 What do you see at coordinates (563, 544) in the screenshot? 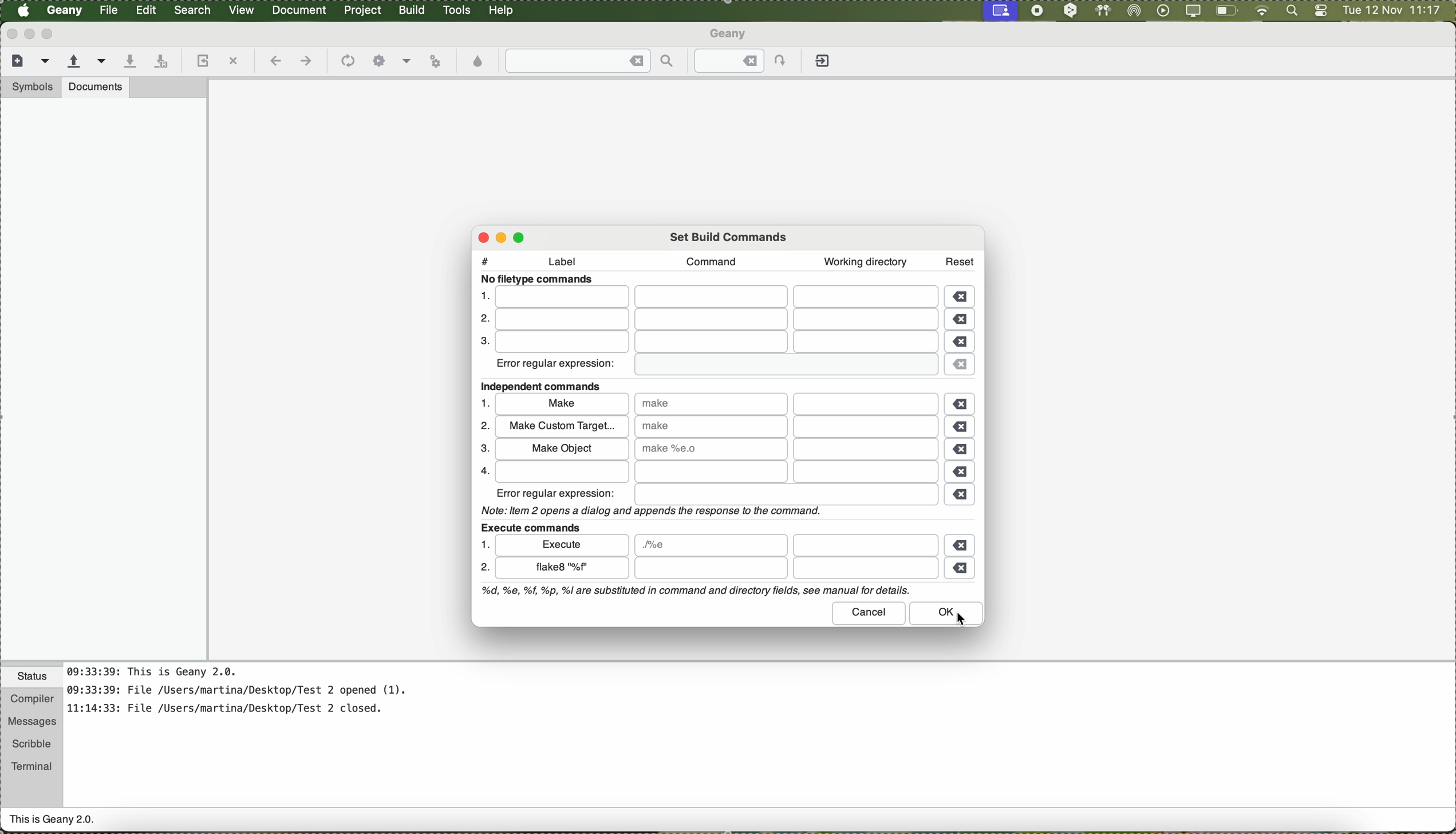
I see `execute` at bounding box center [563, 544].